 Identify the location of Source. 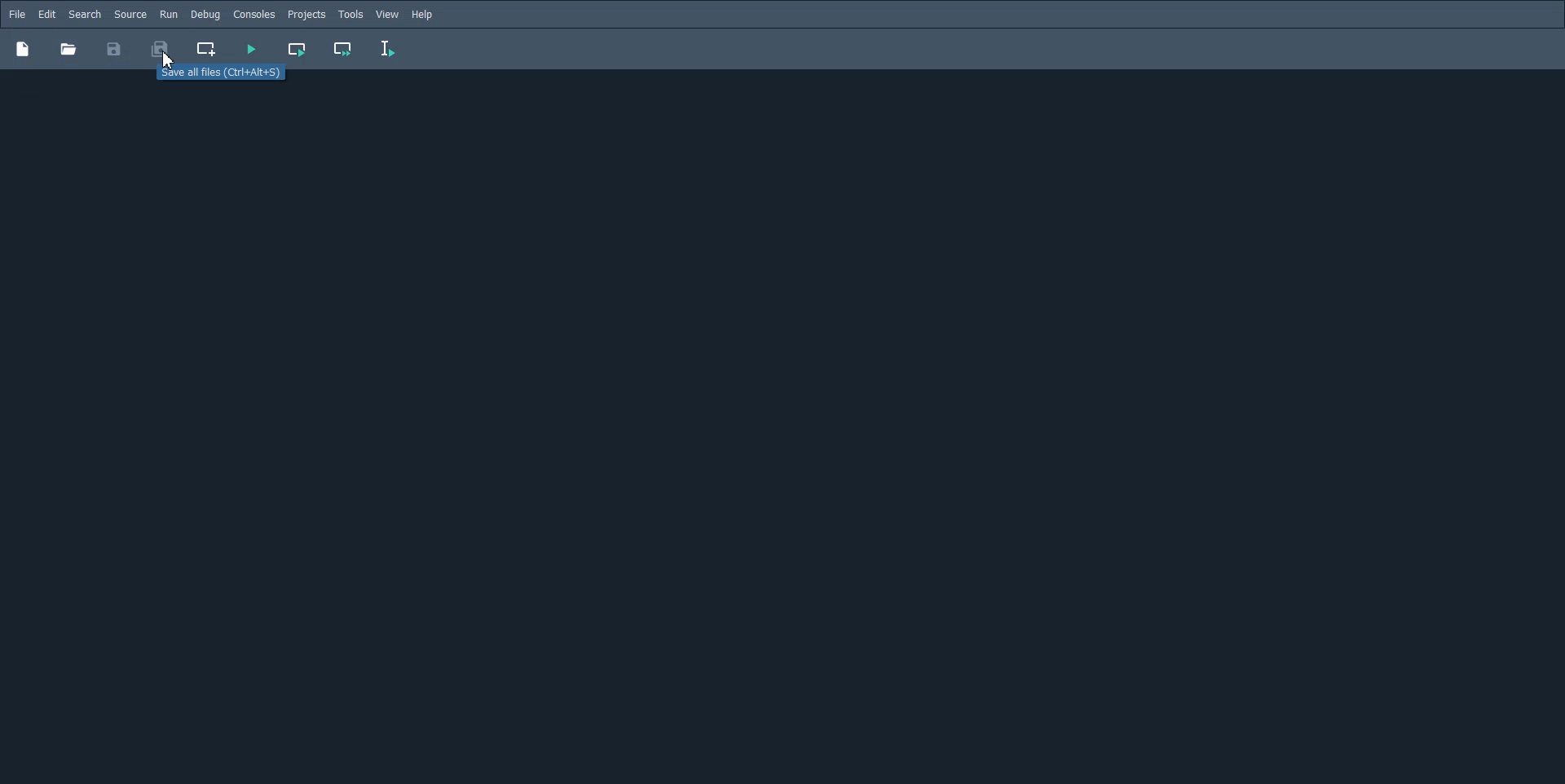
(130, 14).